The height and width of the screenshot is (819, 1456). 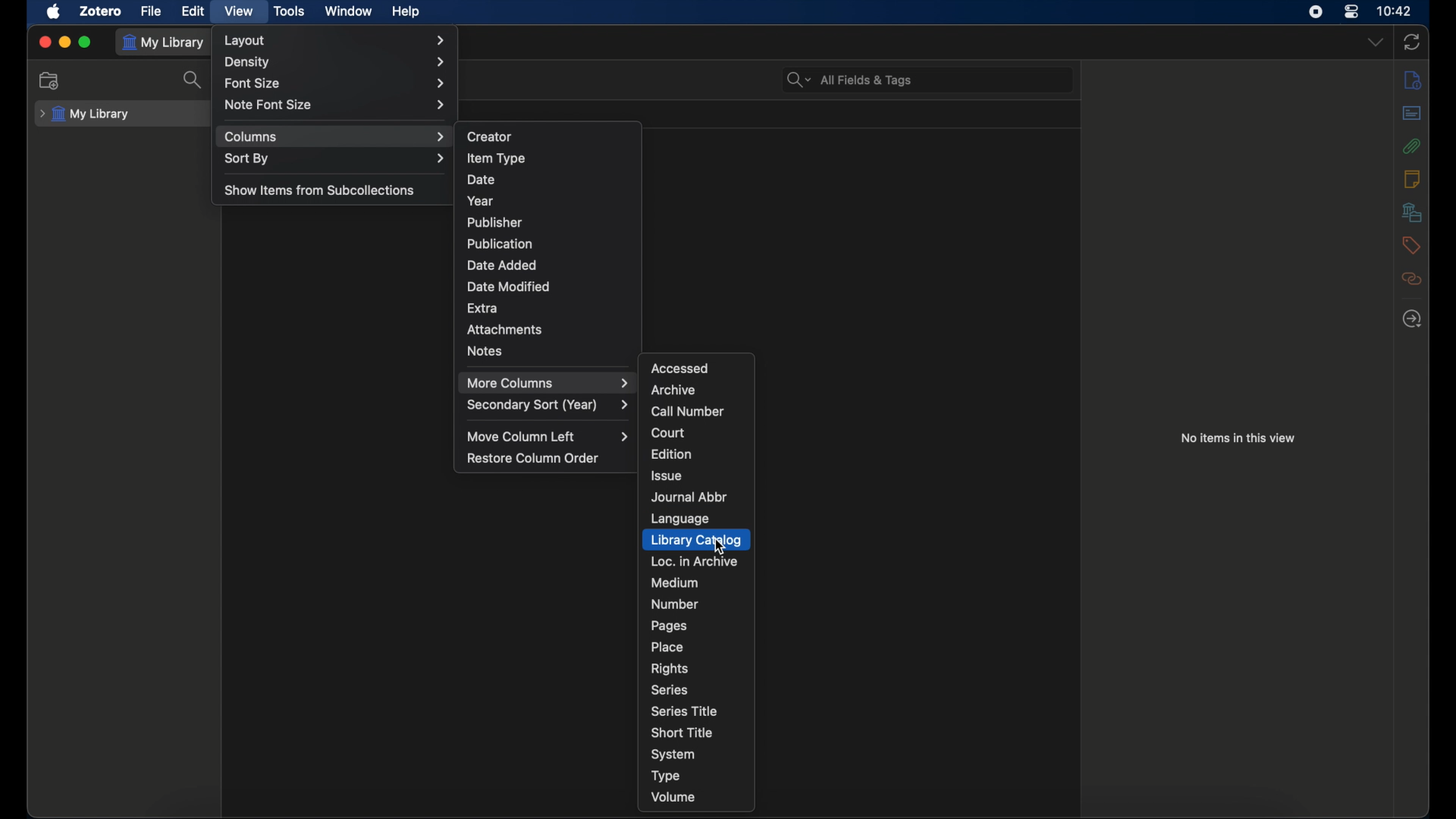 I want to click on tools, so click(x=290, y=11).